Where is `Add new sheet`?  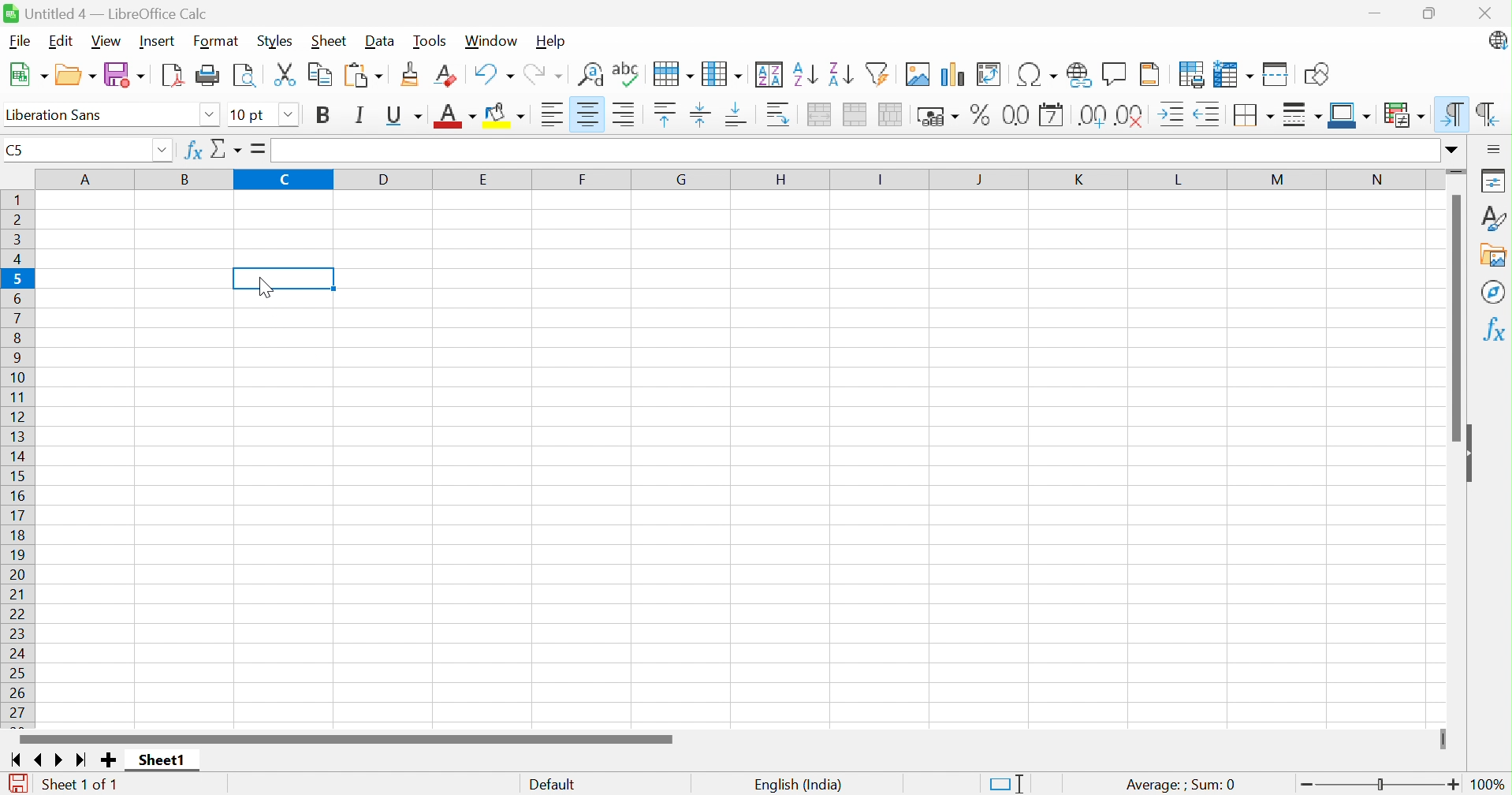
Add new sheet is located at coordinates (108, 760).